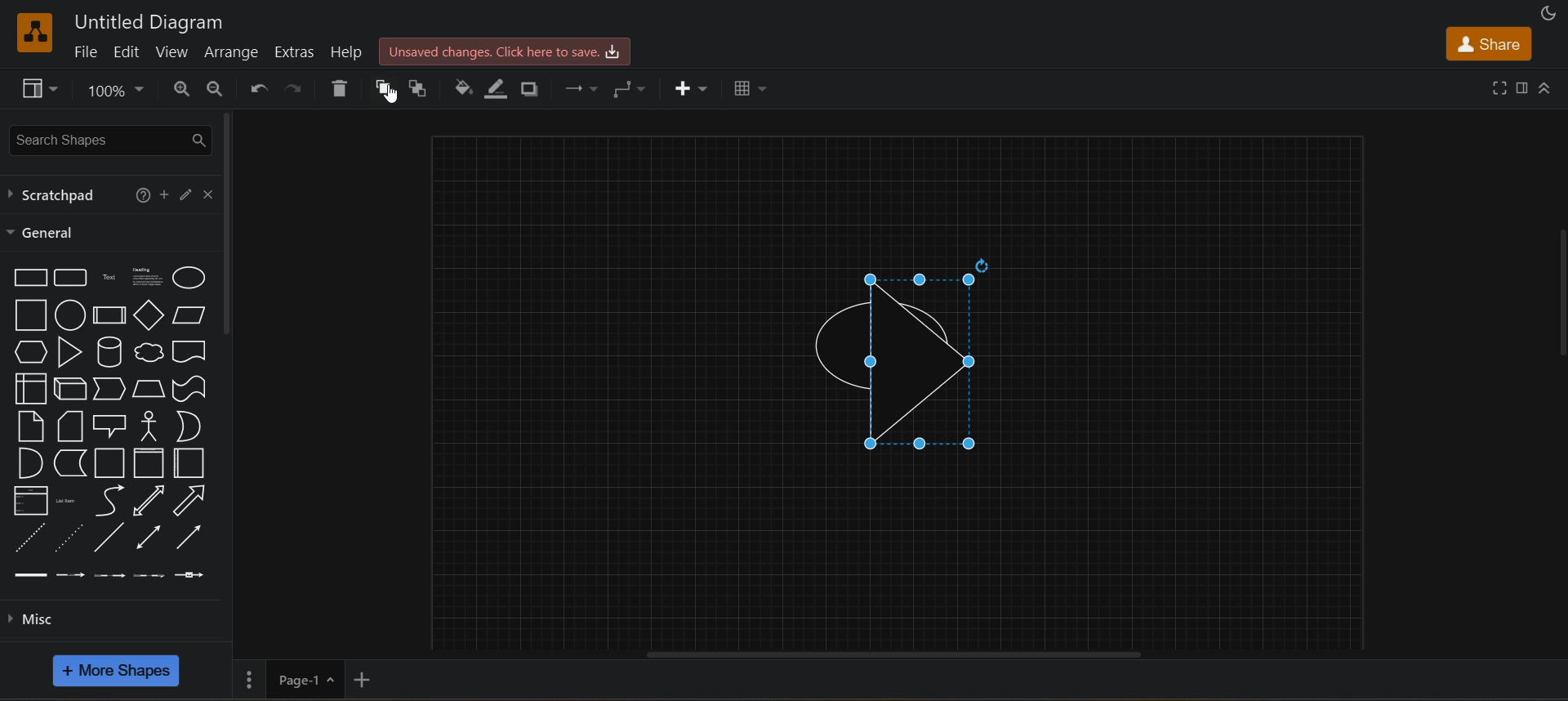  I want to click on tape, so click(189, 389).